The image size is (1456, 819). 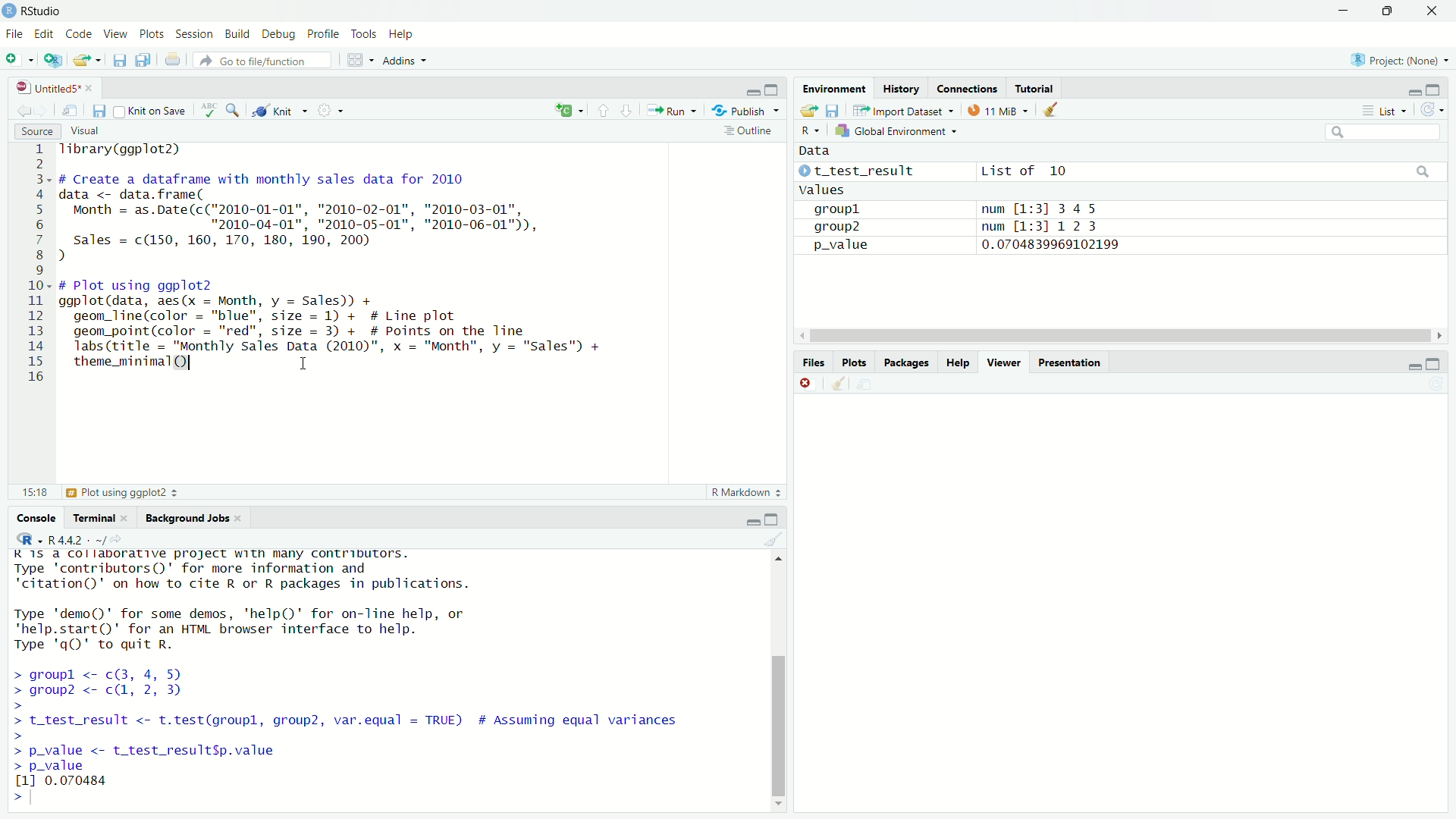 I want to click on clear workspace, so click(x=836, y=385).